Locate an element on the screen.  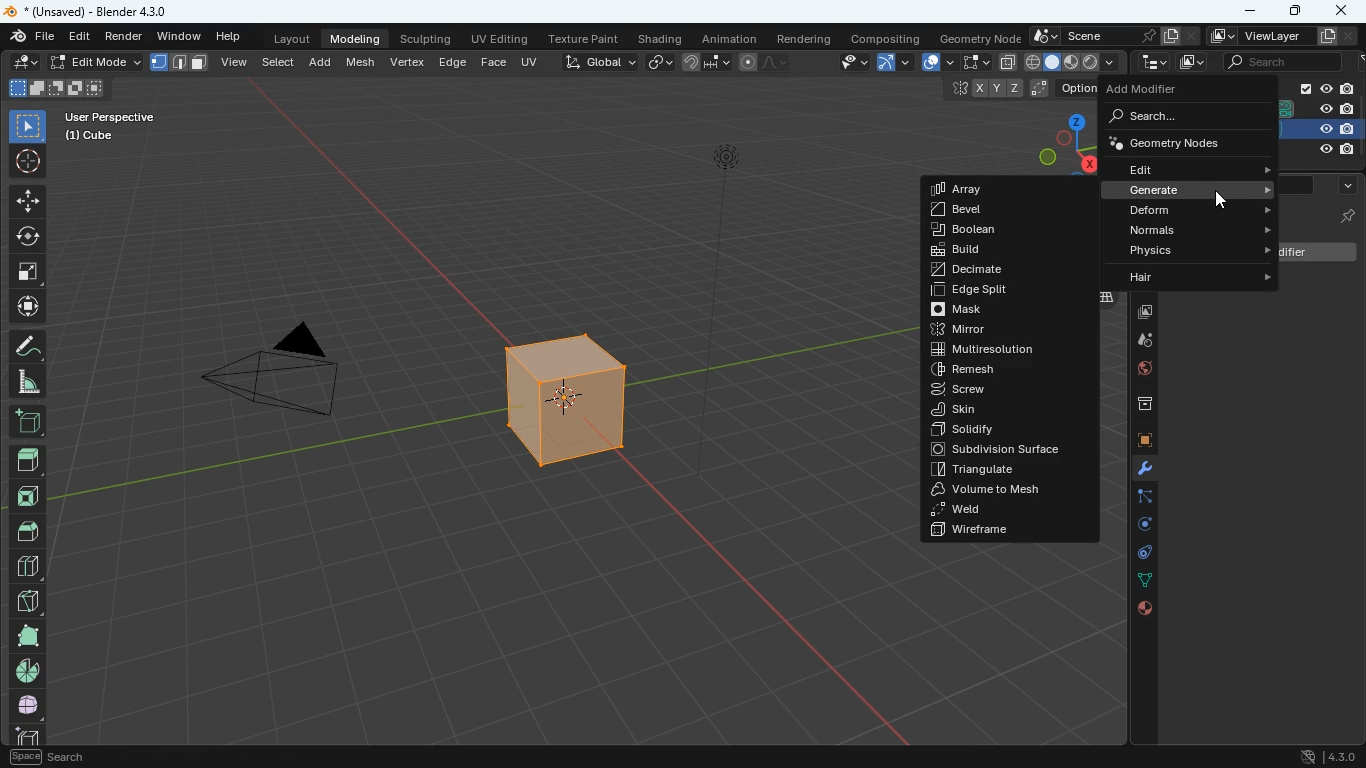
shapes is located at coordinates (55, 88).